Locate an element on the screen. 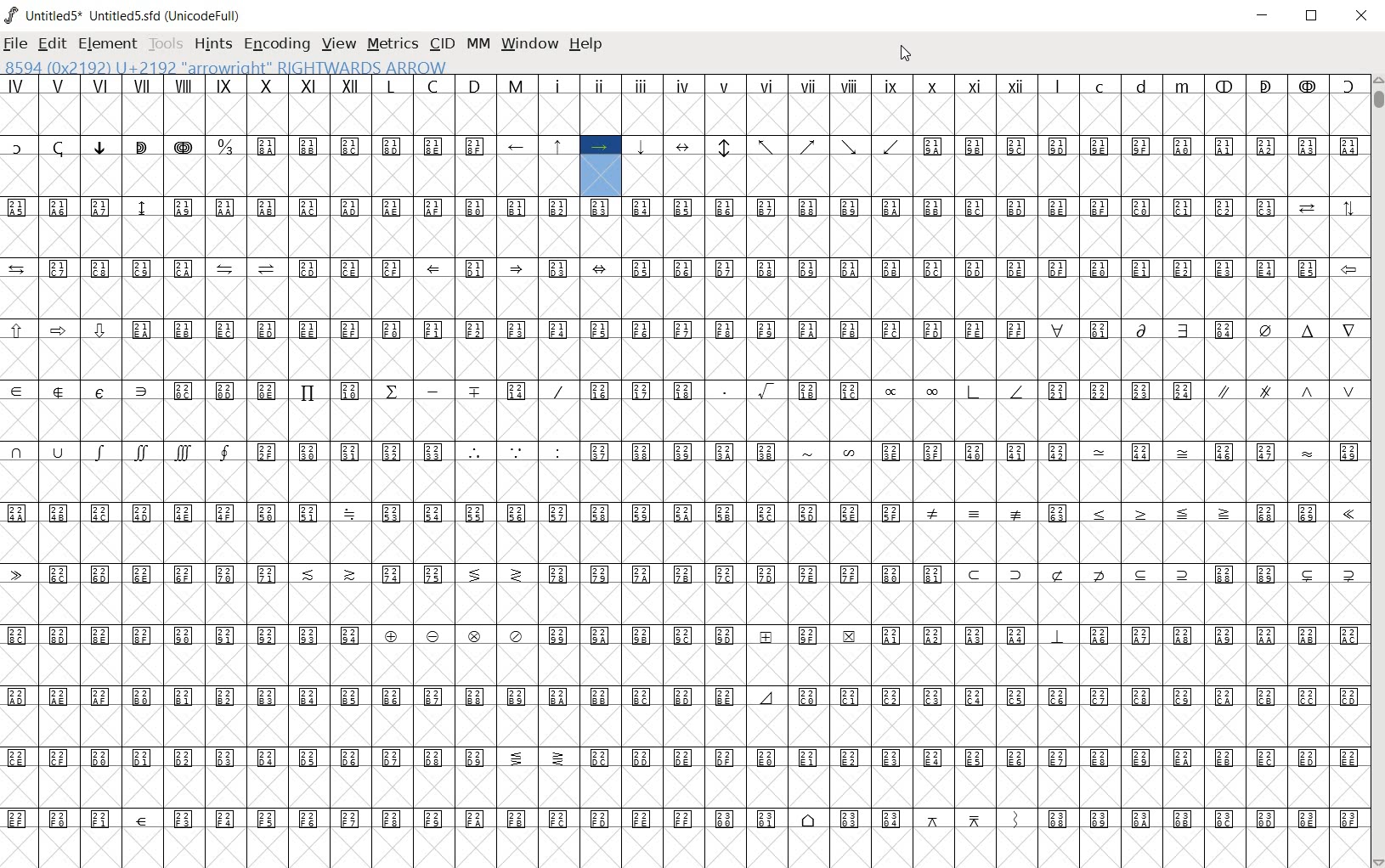 The height and width of the screenshot is (868, 1385). Glyph characters is located at coordinates (682, 471).